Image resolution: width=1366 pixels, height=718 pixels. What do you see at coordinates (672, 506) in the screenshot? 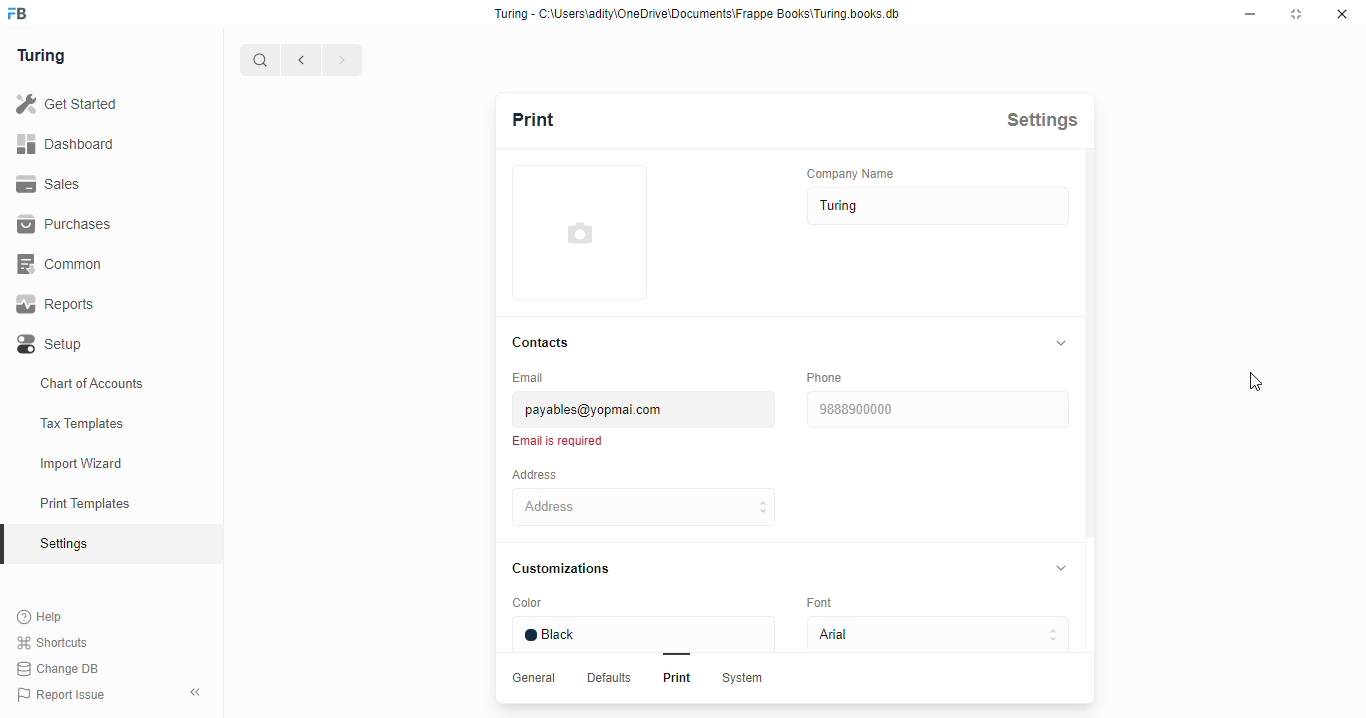
I see `Address H` at bounding box center [672, 506].